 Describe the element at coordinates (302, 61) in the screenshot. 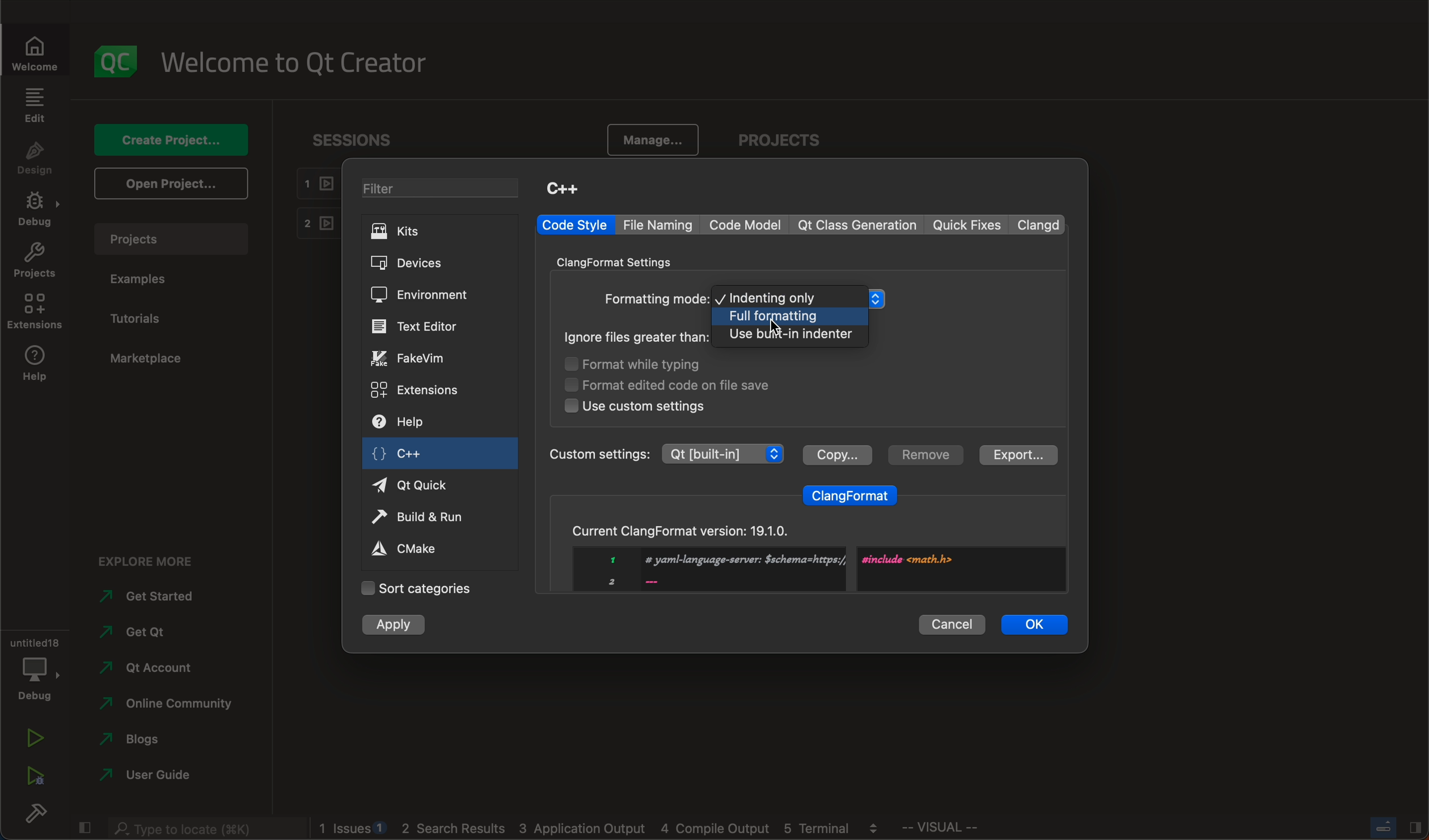

I see `welcome` at that location.